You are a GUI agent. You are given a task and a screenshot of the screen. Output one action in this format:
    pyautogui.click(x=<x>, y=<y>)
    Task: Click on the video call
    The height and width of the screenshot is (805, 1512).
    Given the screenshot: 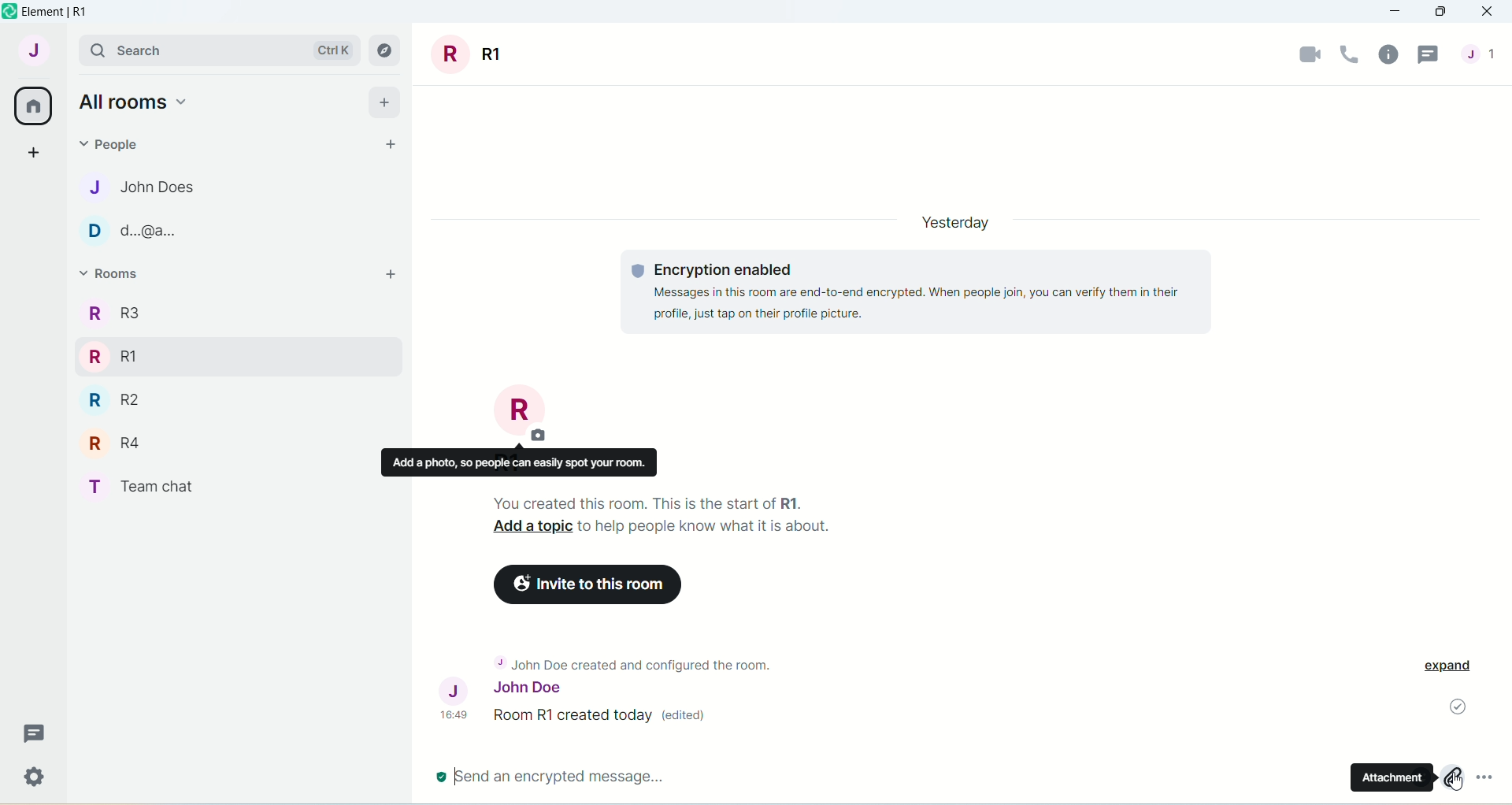 What is the action you would take?
    pyautogui.click(x=1303, y=57)
    